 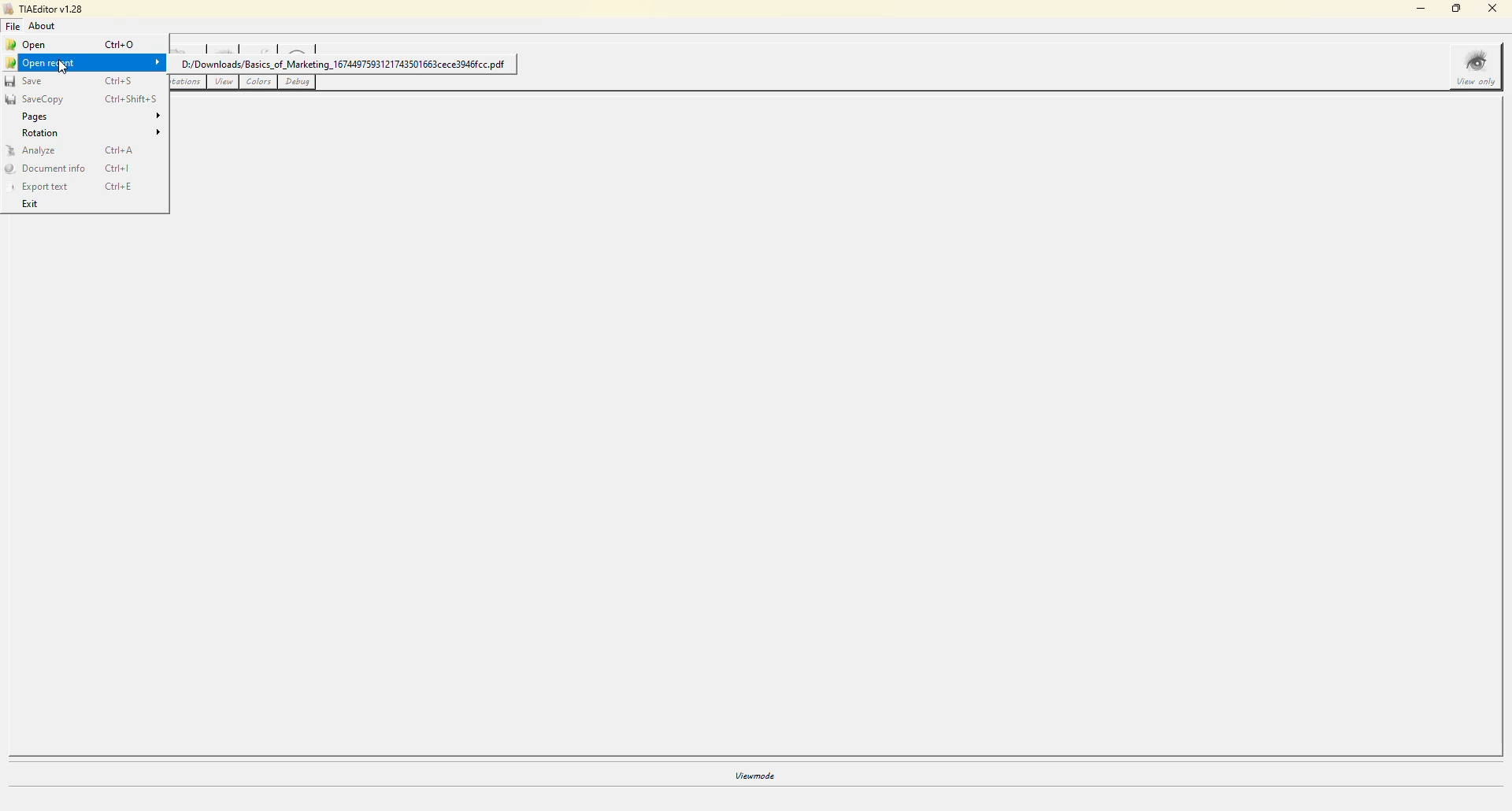 I want to click on expand, so click(x=159, y=131).